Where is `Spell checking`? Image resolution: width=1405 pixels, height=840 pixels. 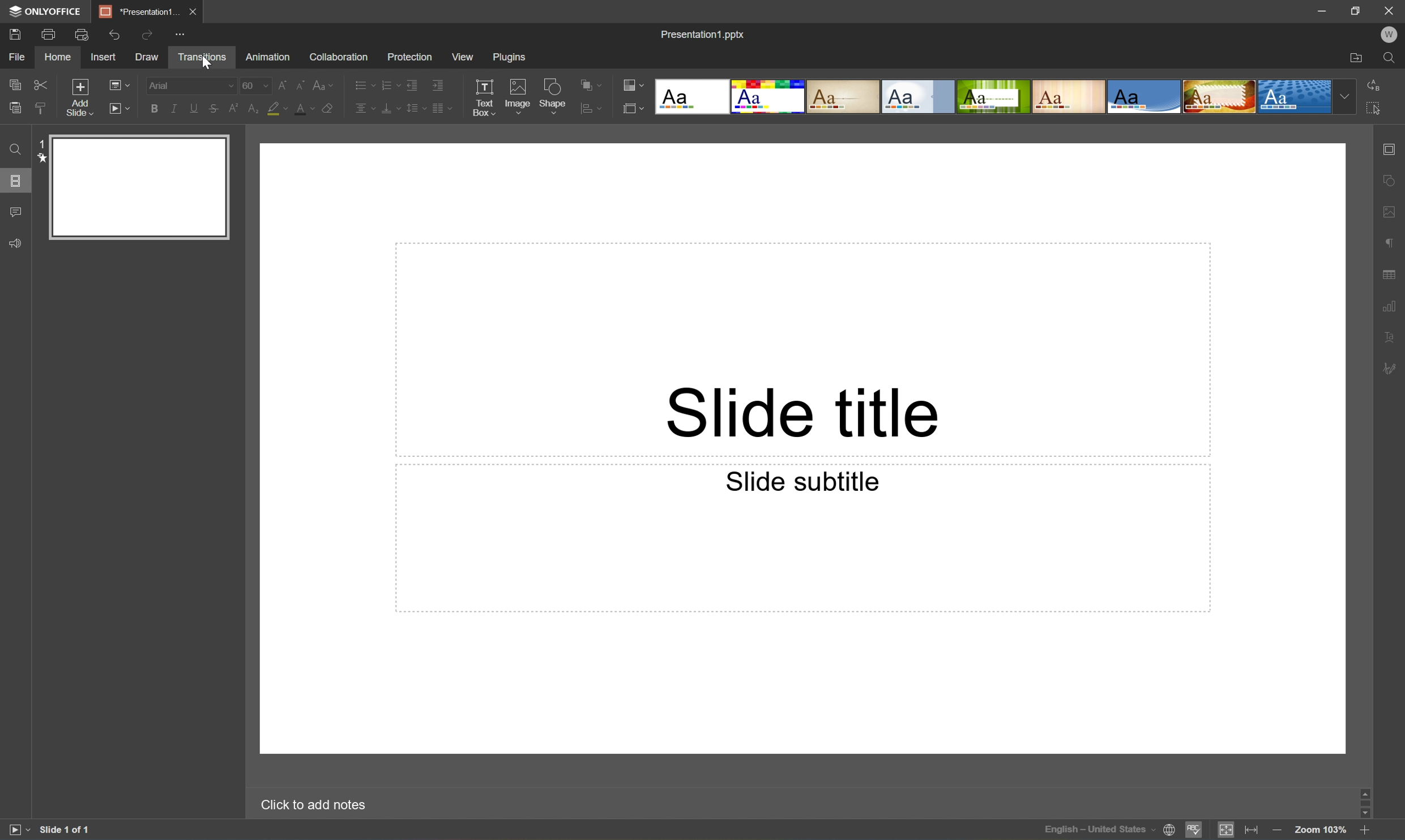 Spell checking is located at coordinates (1192, 832).